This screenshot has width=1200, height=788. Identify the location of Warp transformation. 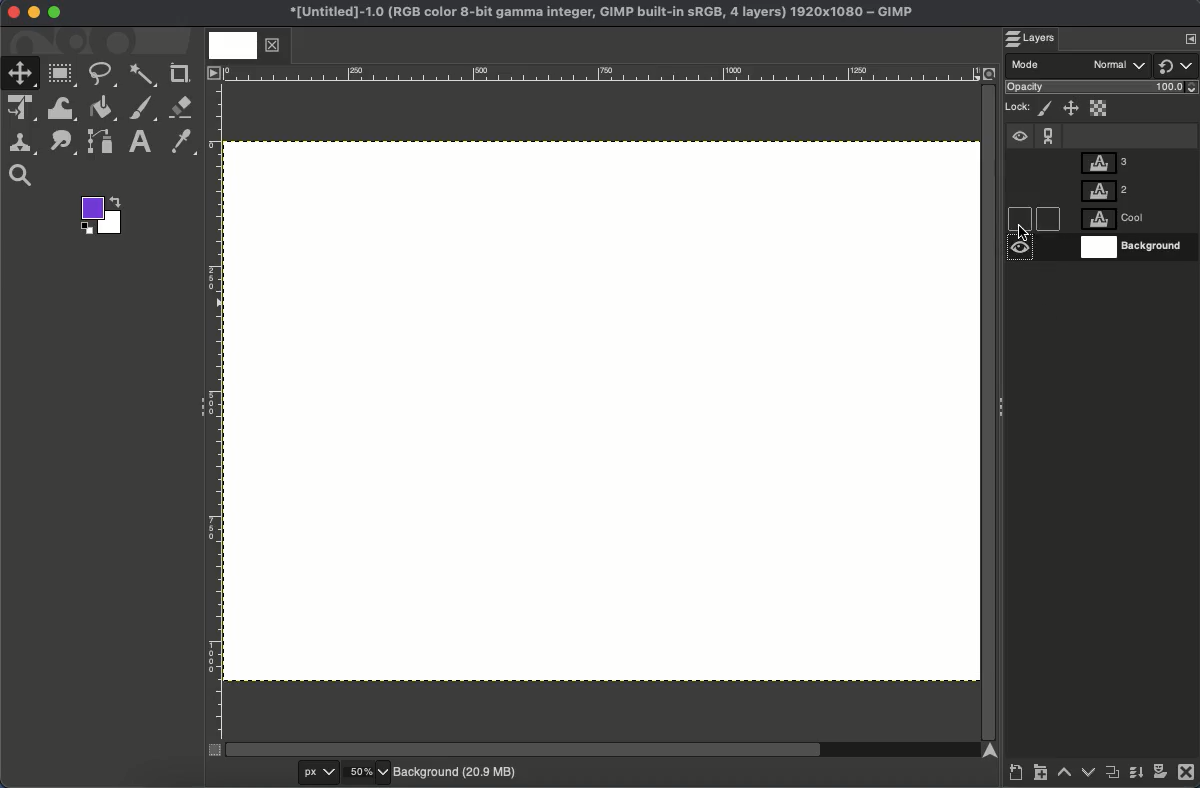
(63, 110).